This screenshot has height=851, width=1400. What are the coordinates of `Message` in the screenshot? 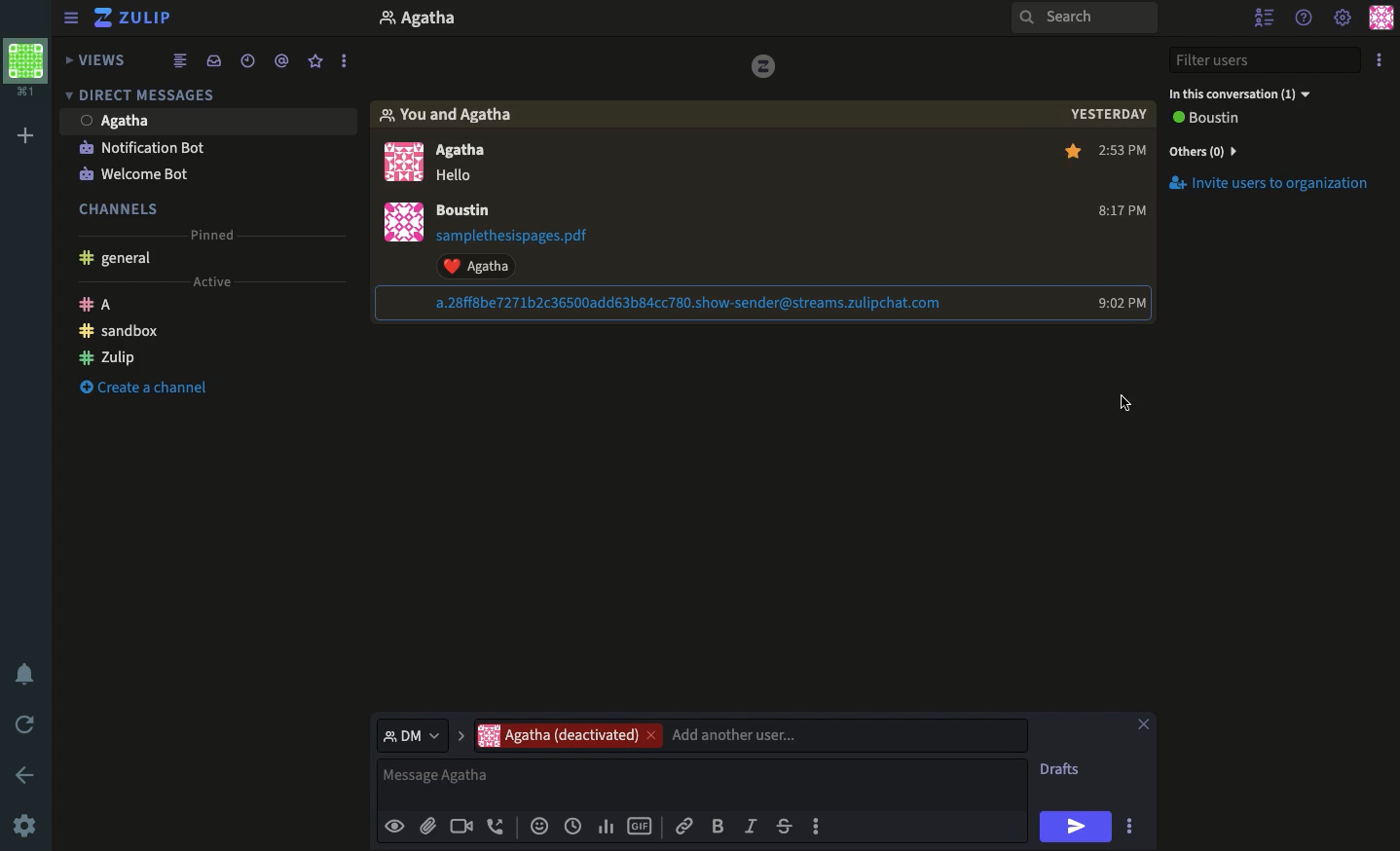 It's located at (705, 783).